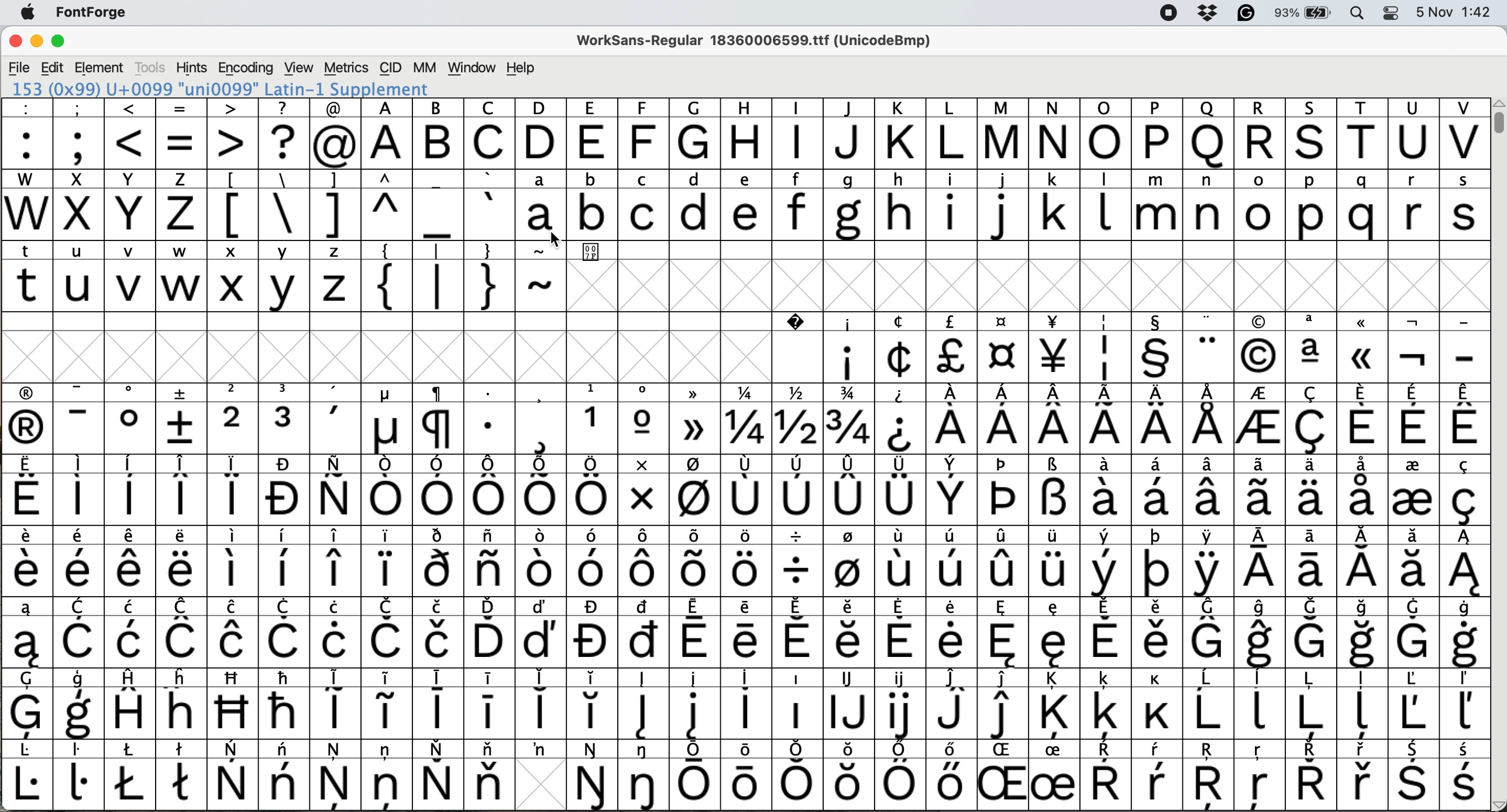 This screenshot has width=1507, height=812. What do you see at coordinates (593, 562) in the screenshot?
I see `symbol` at bounding box center [593, 562].